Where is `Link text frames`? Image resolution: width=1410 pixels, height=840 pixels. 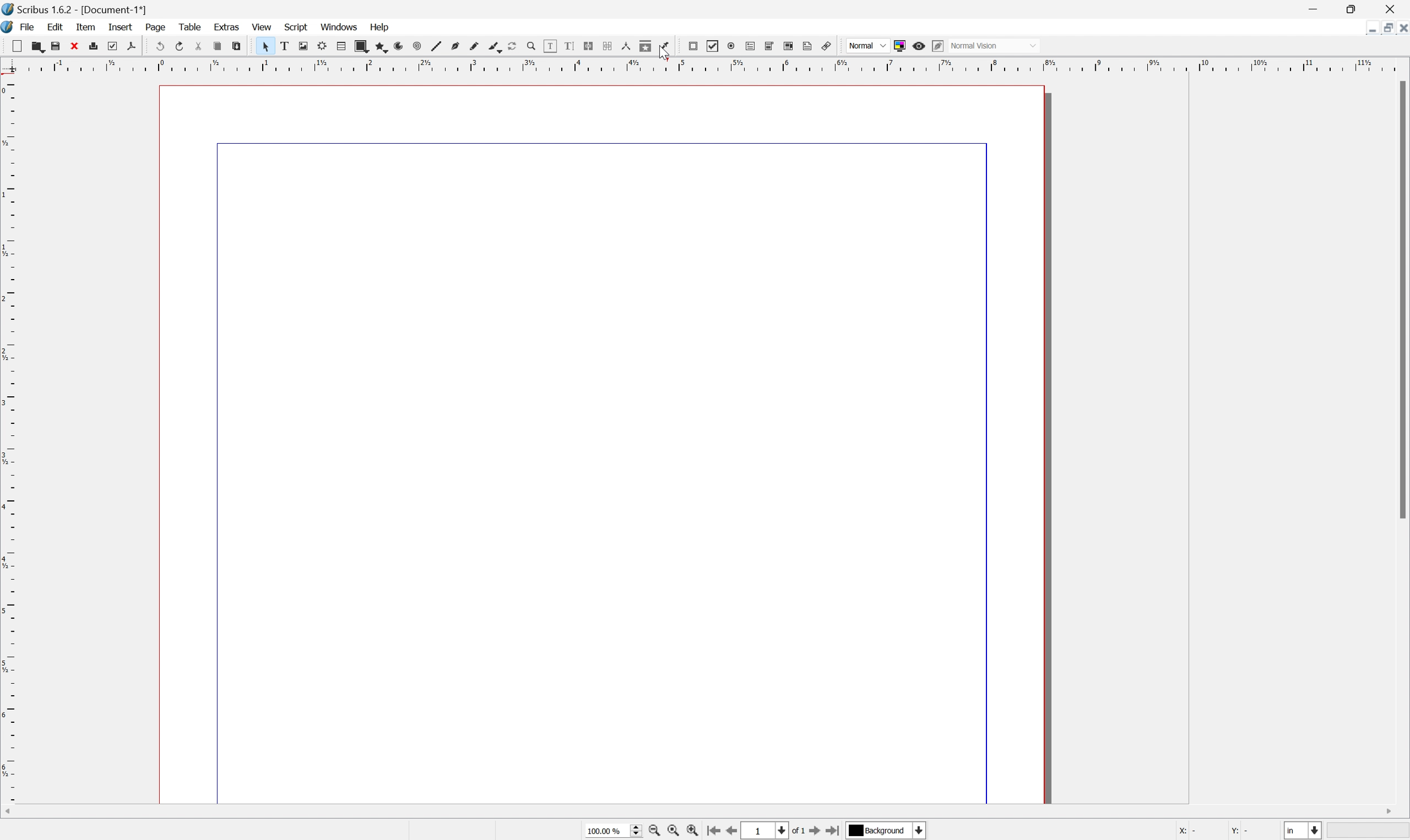 Link text frames is located at coordinates (591, 46).